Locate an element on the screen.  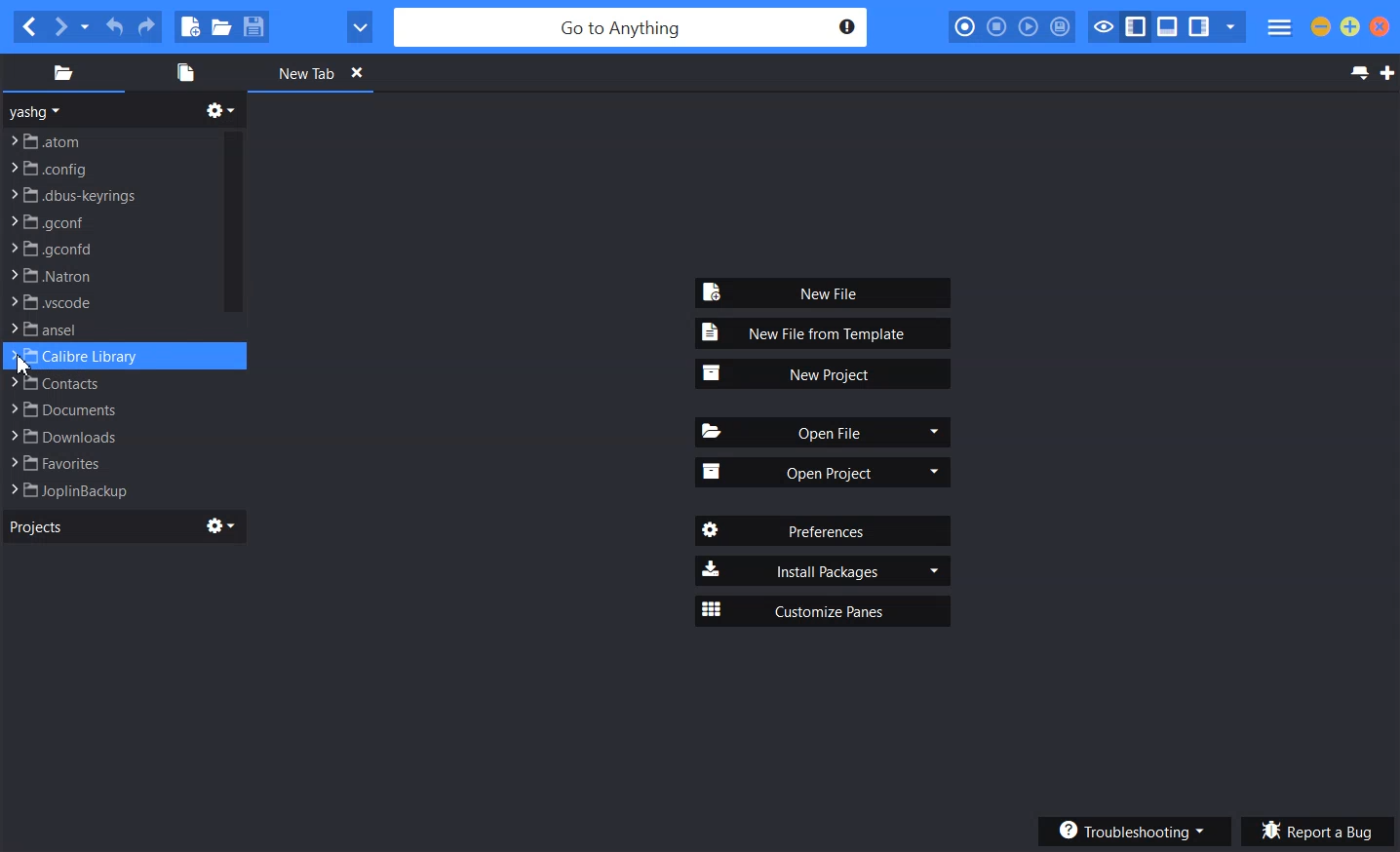
Vertical scroll bar is located at coordinates (233, 314).